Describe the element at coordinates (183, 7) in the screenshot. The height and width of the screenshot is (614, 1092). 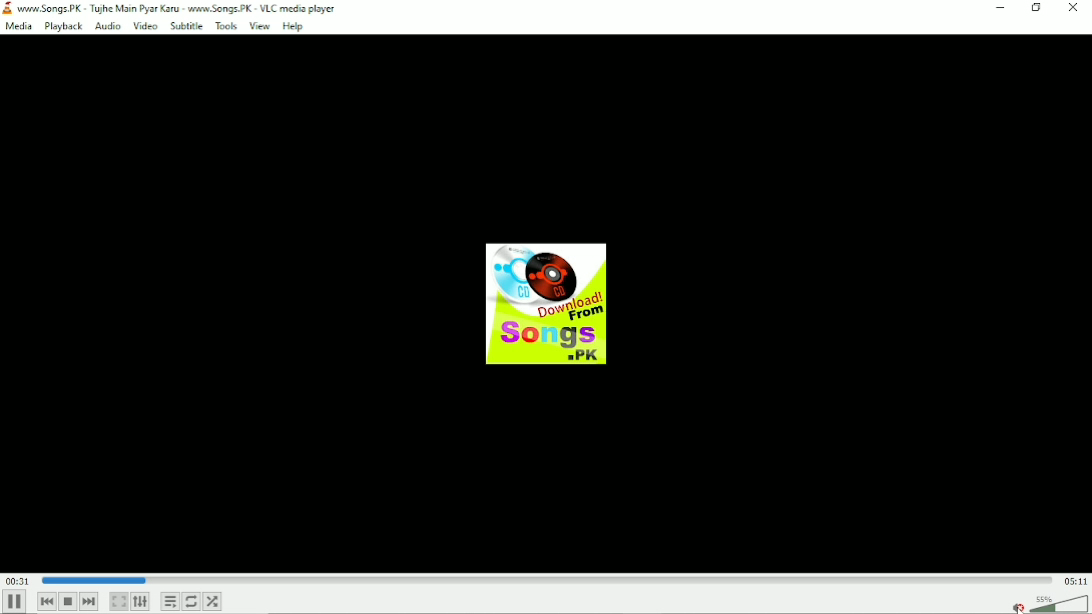
I see `Title & details` at that location.